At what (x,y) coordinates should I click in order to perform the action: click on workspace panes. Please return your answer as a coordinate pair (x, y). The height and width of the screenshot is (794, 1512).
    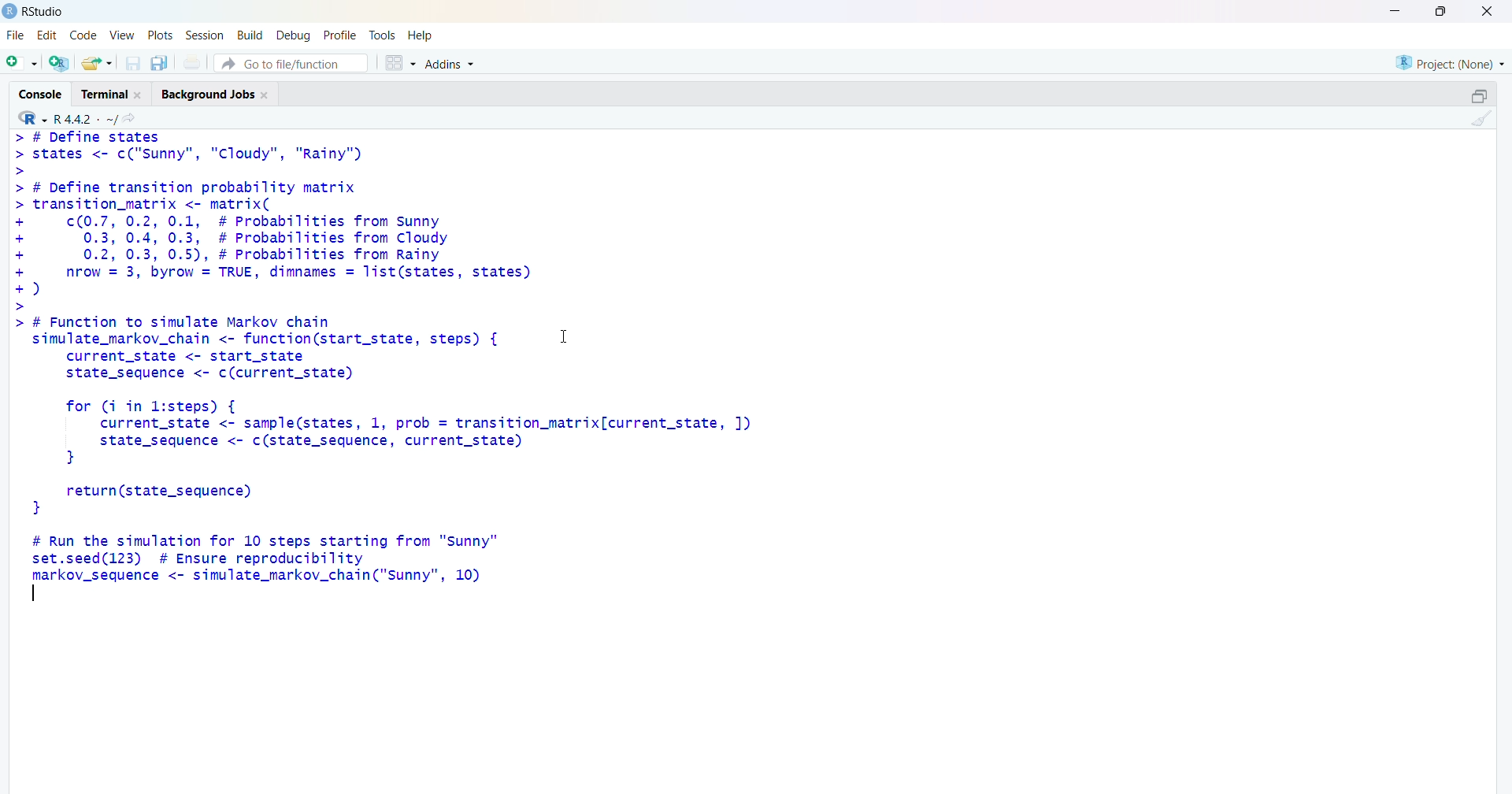
    Looking at the image, I should click on (399, 65).